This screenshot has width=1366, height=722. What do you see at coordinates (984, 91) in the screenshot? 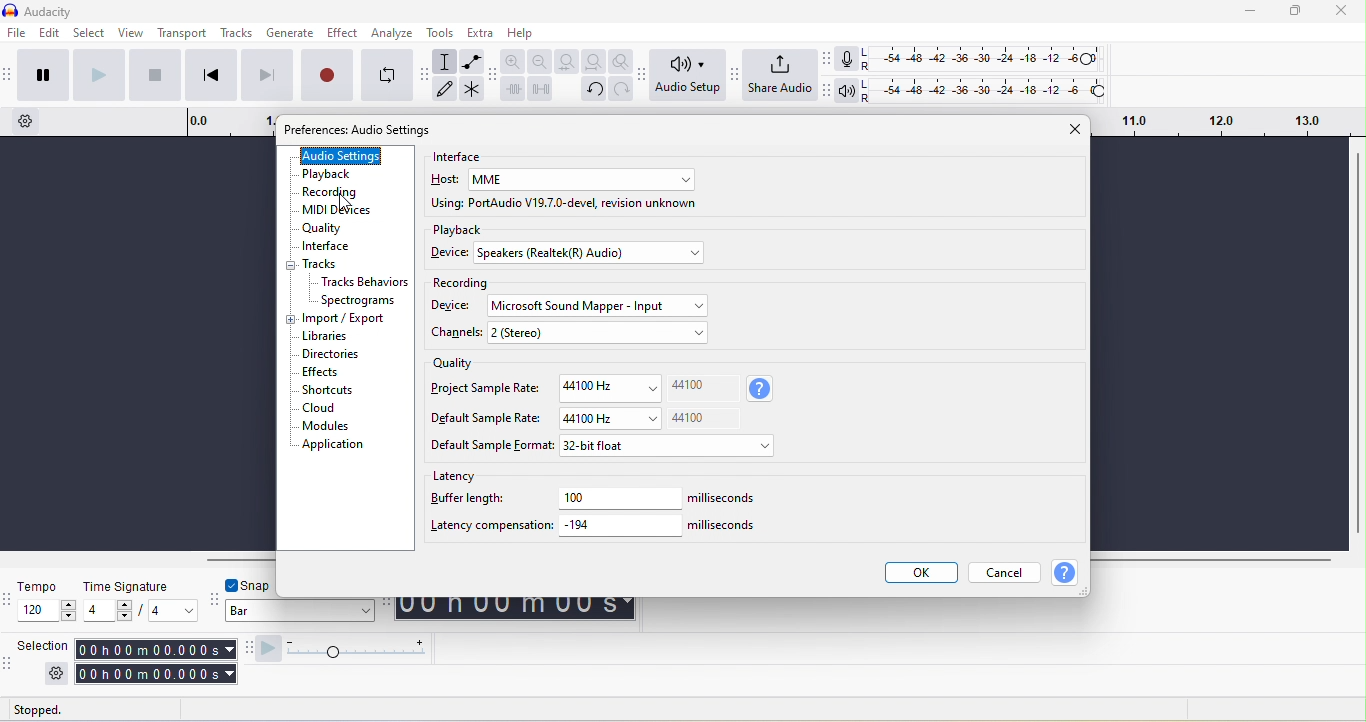
I see `playback level` at bounding box center [984, 91].